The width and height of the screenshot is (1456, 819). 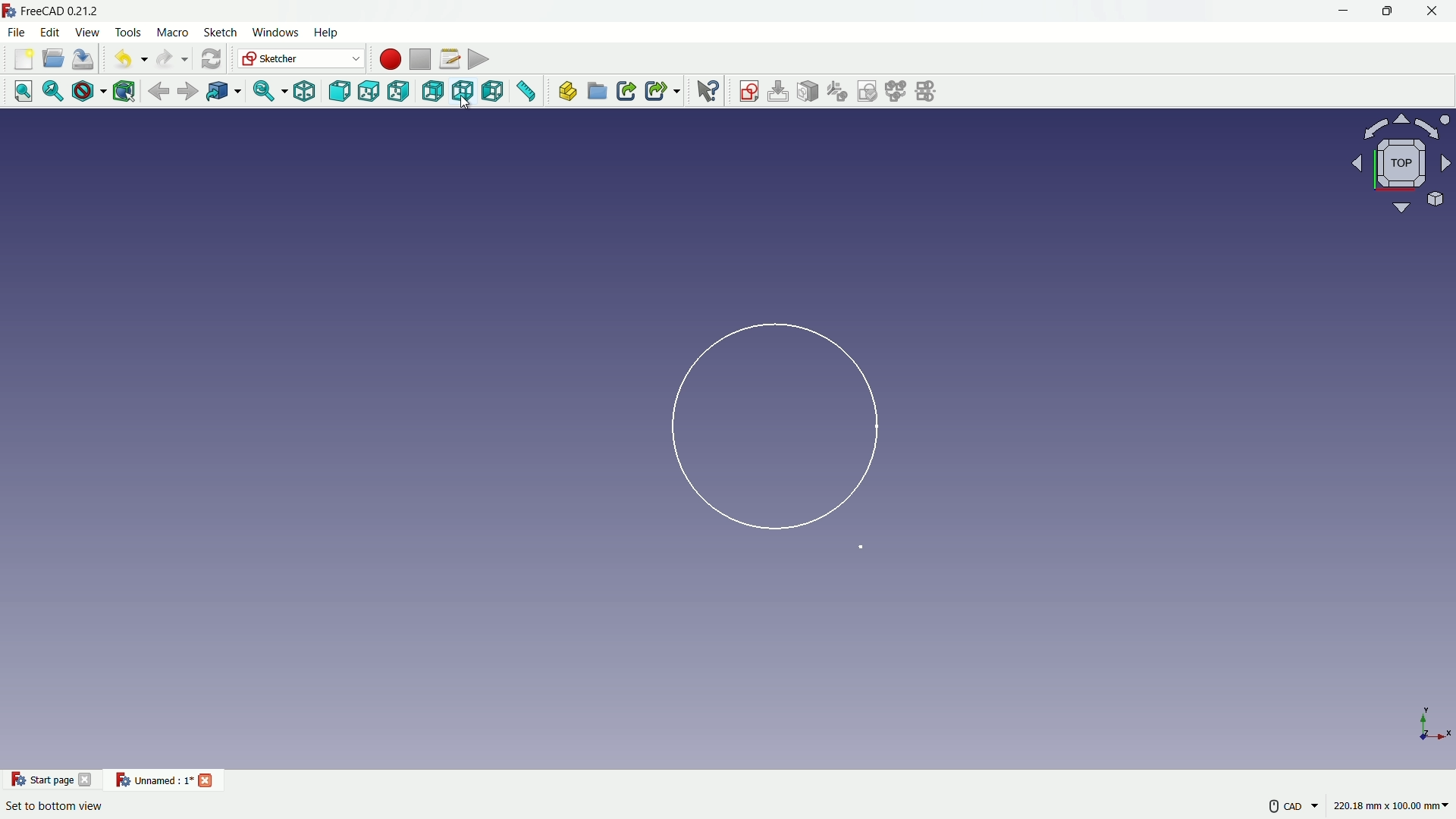 What do you see at coordinates (748, 92) in the screenshot?
I see `create sketch` at bounding box center [748, 92].